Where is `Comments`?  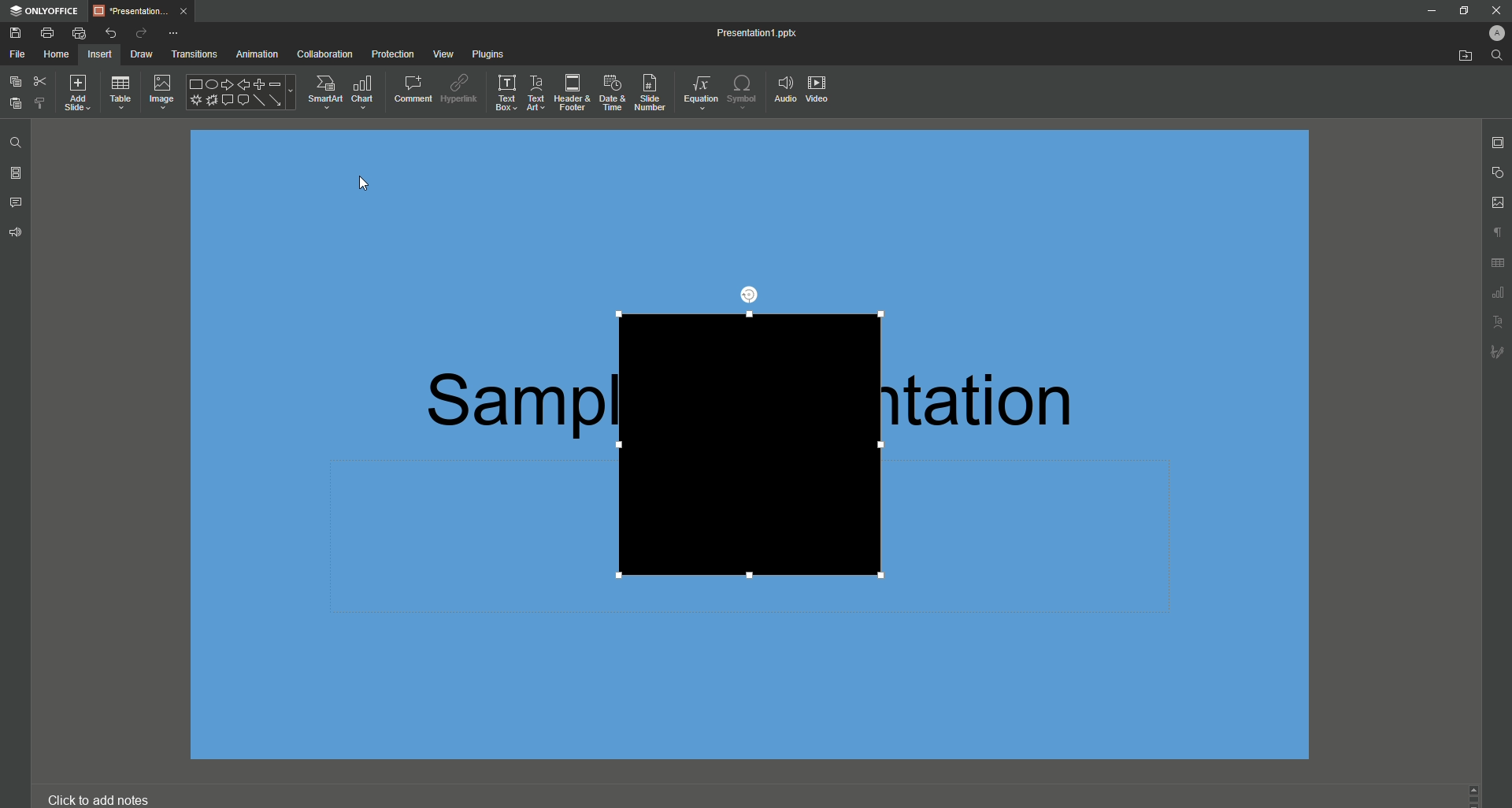 Comments is located at coordinates (17, 201).